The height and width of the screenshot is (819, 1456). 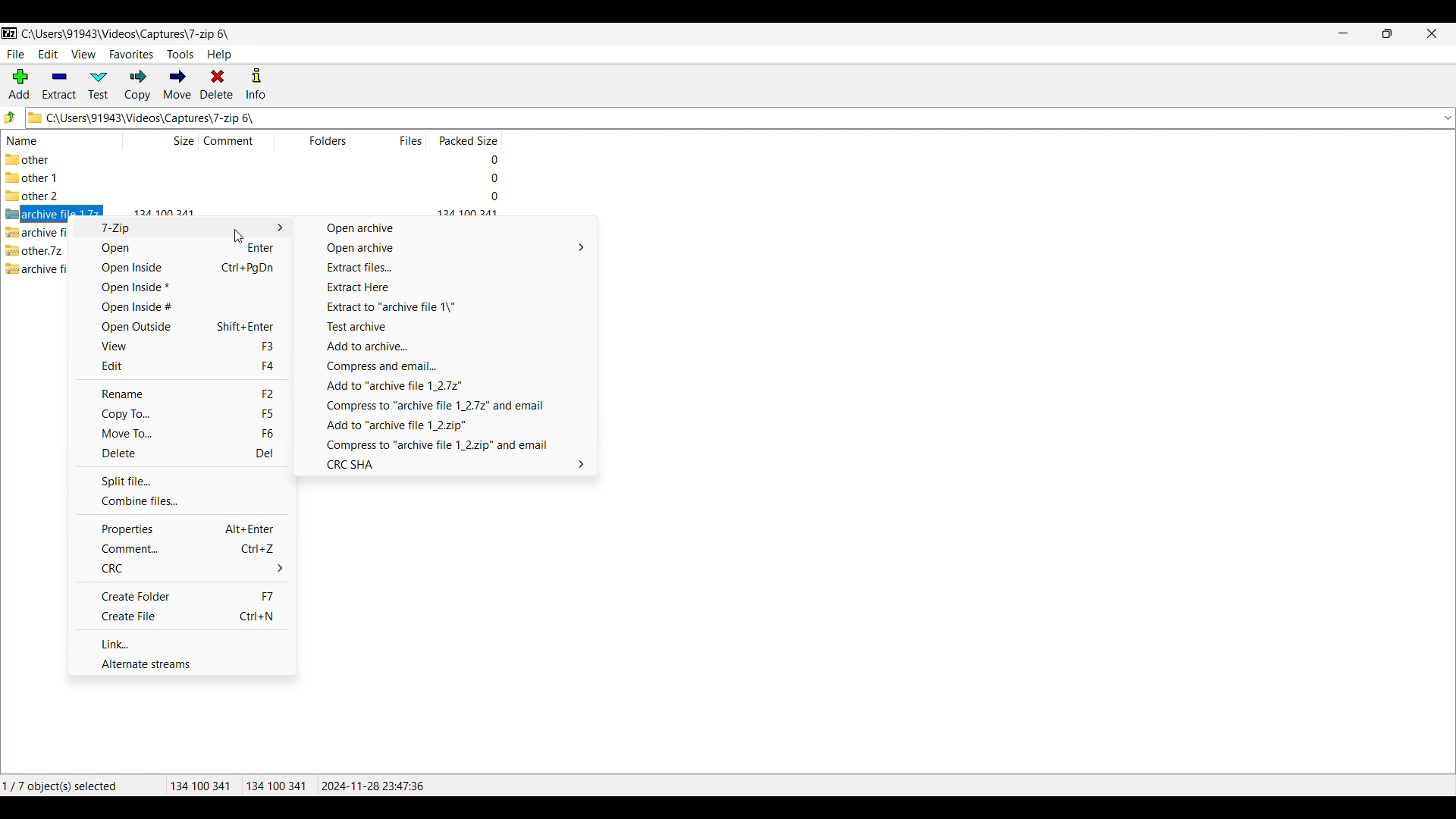 I want to click on Compress to "archive file 1_2.7z" and email, so click(x=448, y=406).